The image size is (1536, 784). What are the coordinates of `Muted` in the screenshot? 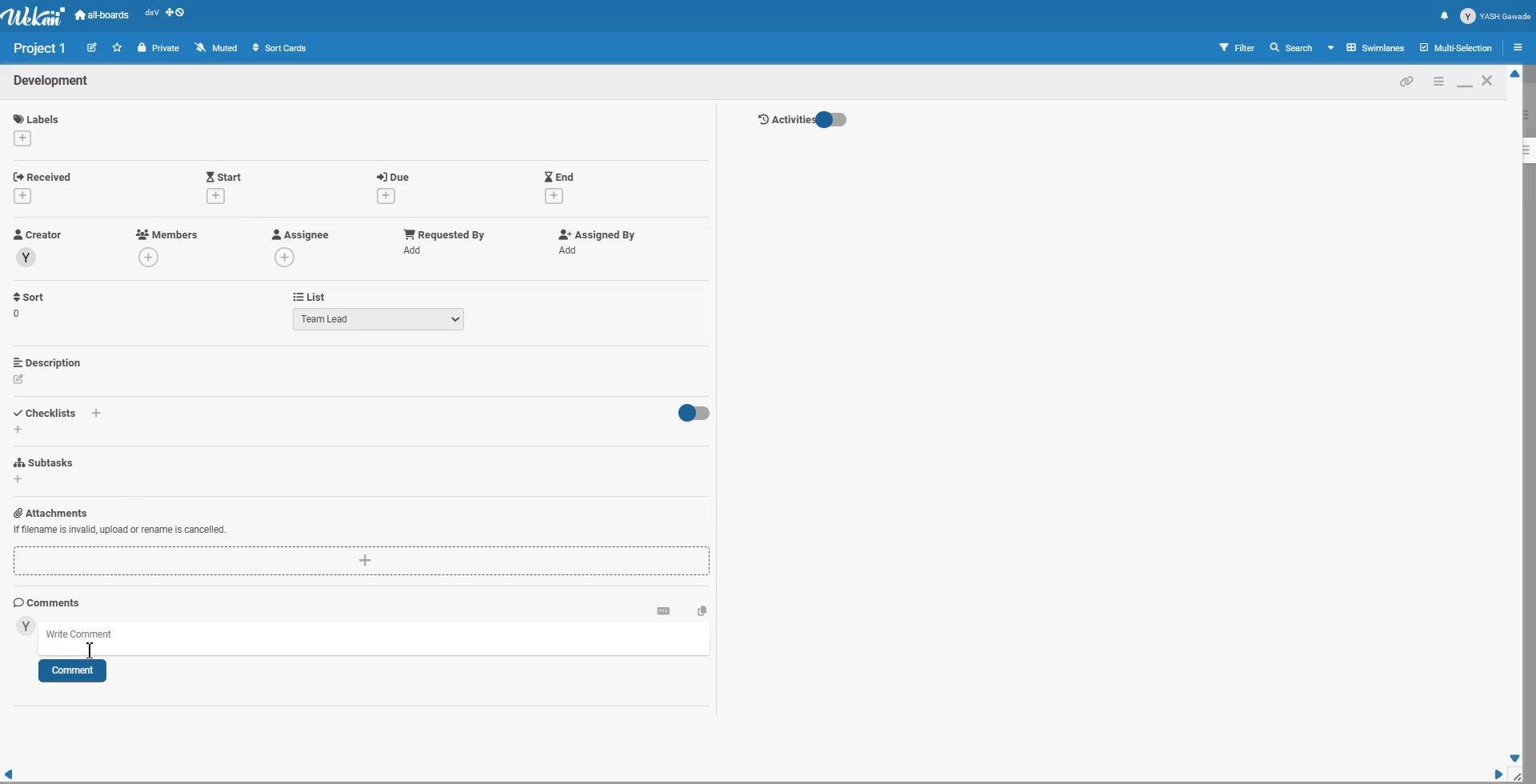 It's located at (218, 47).